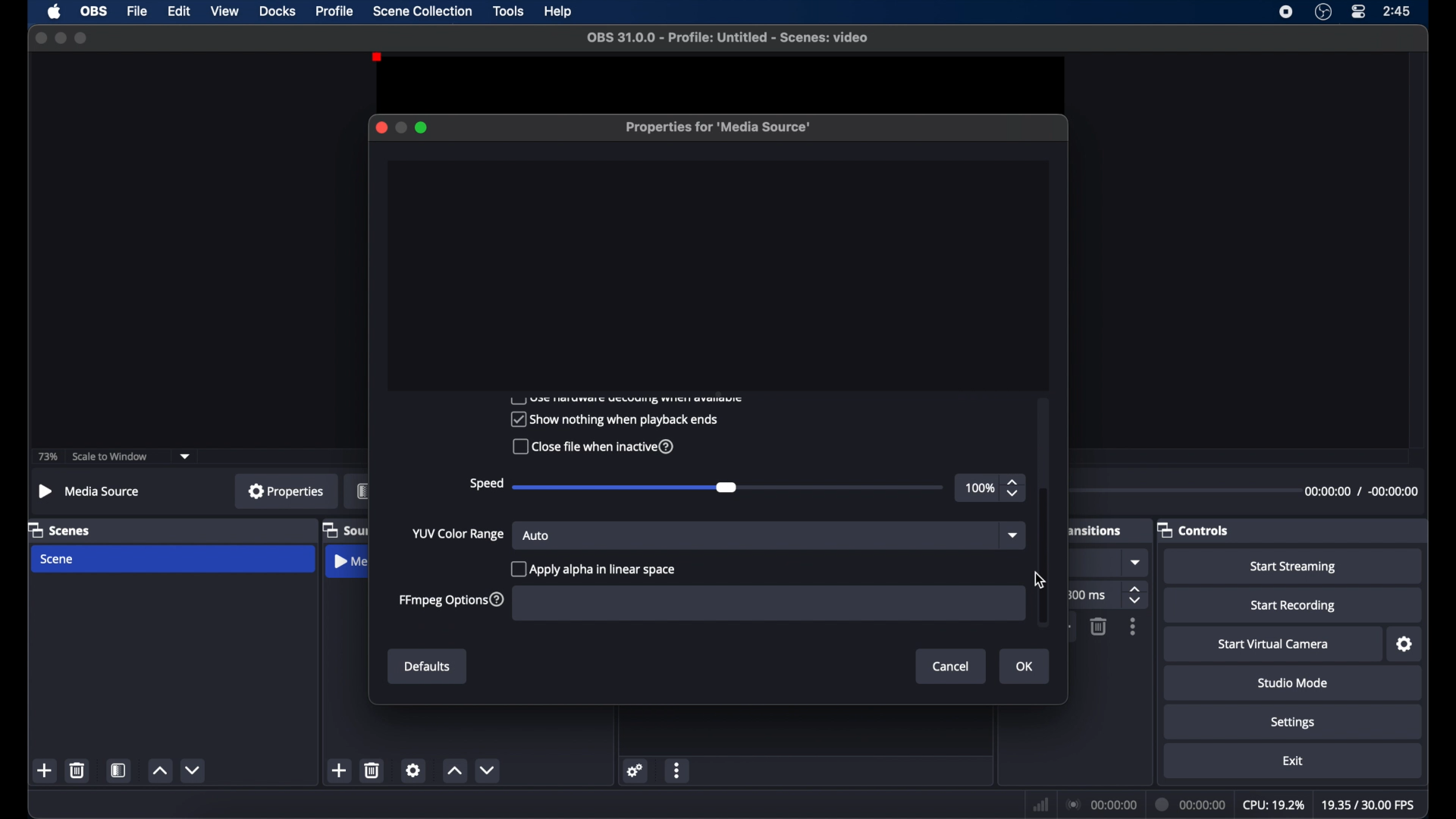 This screenshot has width=1456, height=819. What do you see at coordinates (345, 529) in the screenshot?
I see `sources` at bounding box center [345, 529].